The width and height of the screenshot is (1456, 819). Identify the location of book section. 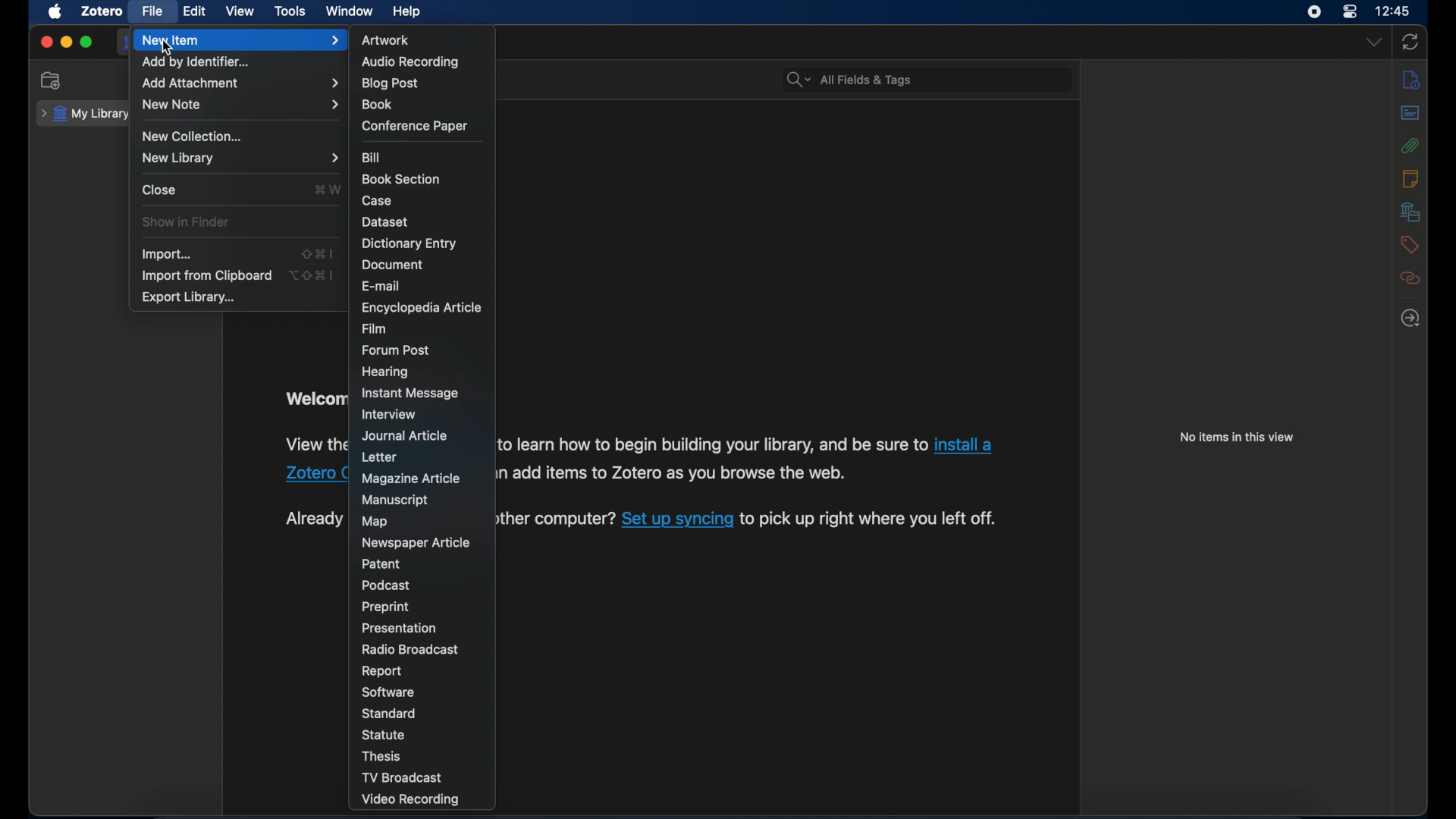
(400, 178).